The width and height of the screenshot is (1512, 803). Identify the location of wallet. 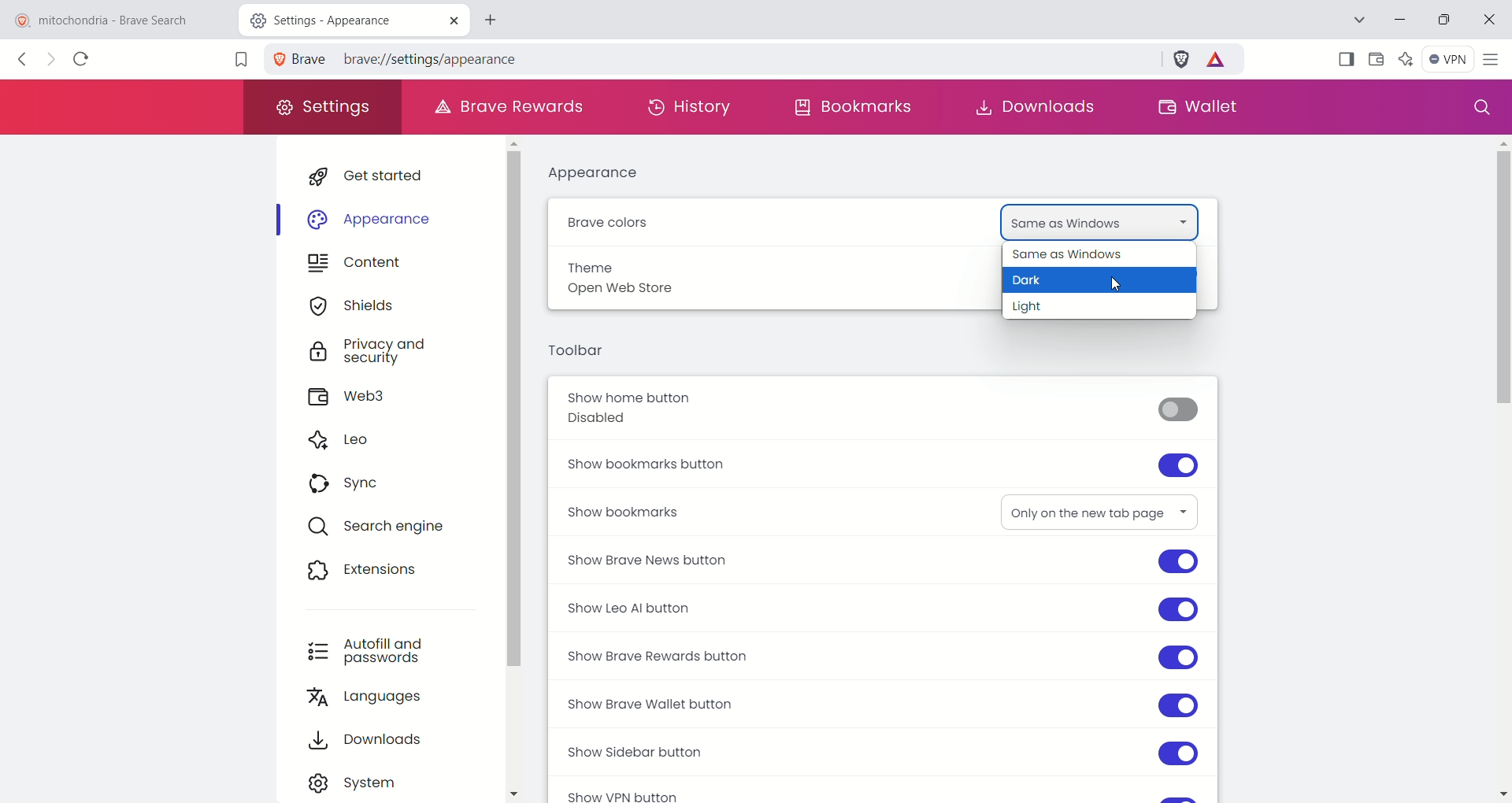
(1376, 59).